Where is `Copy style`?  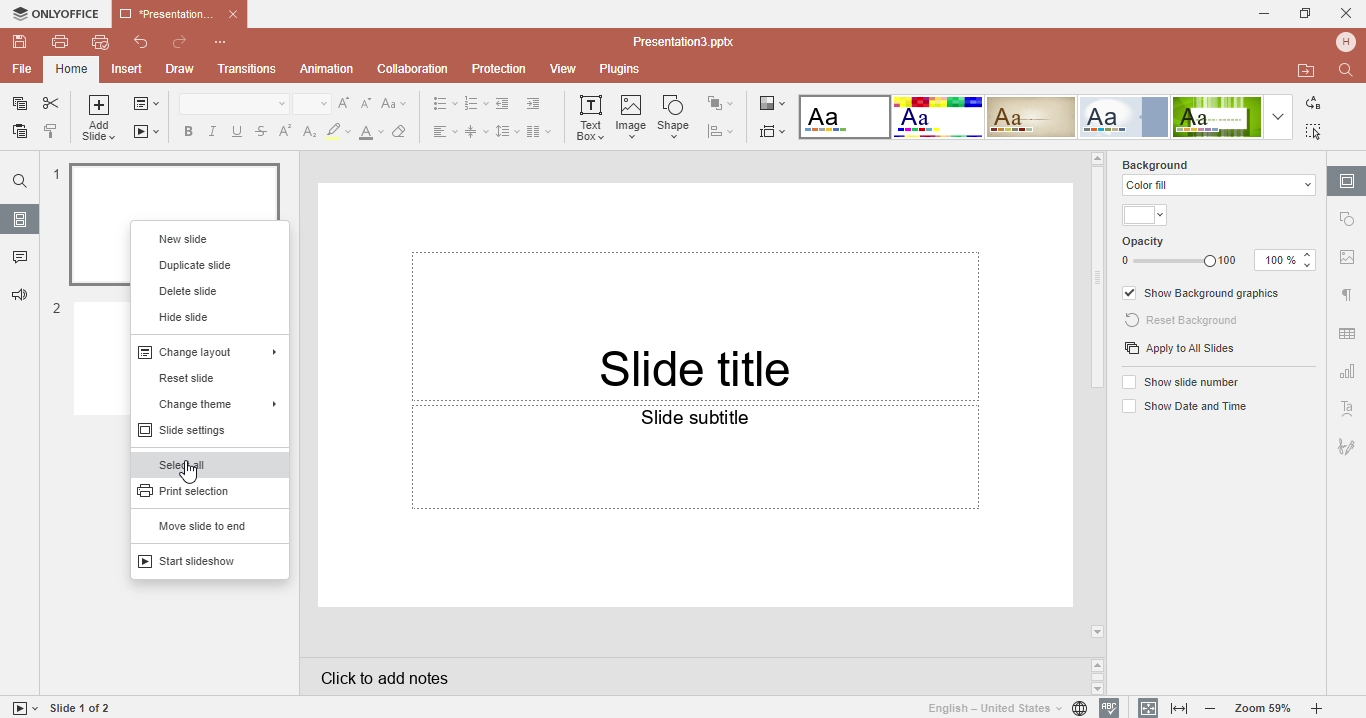 Copy style is located at coordinates (52, 133).